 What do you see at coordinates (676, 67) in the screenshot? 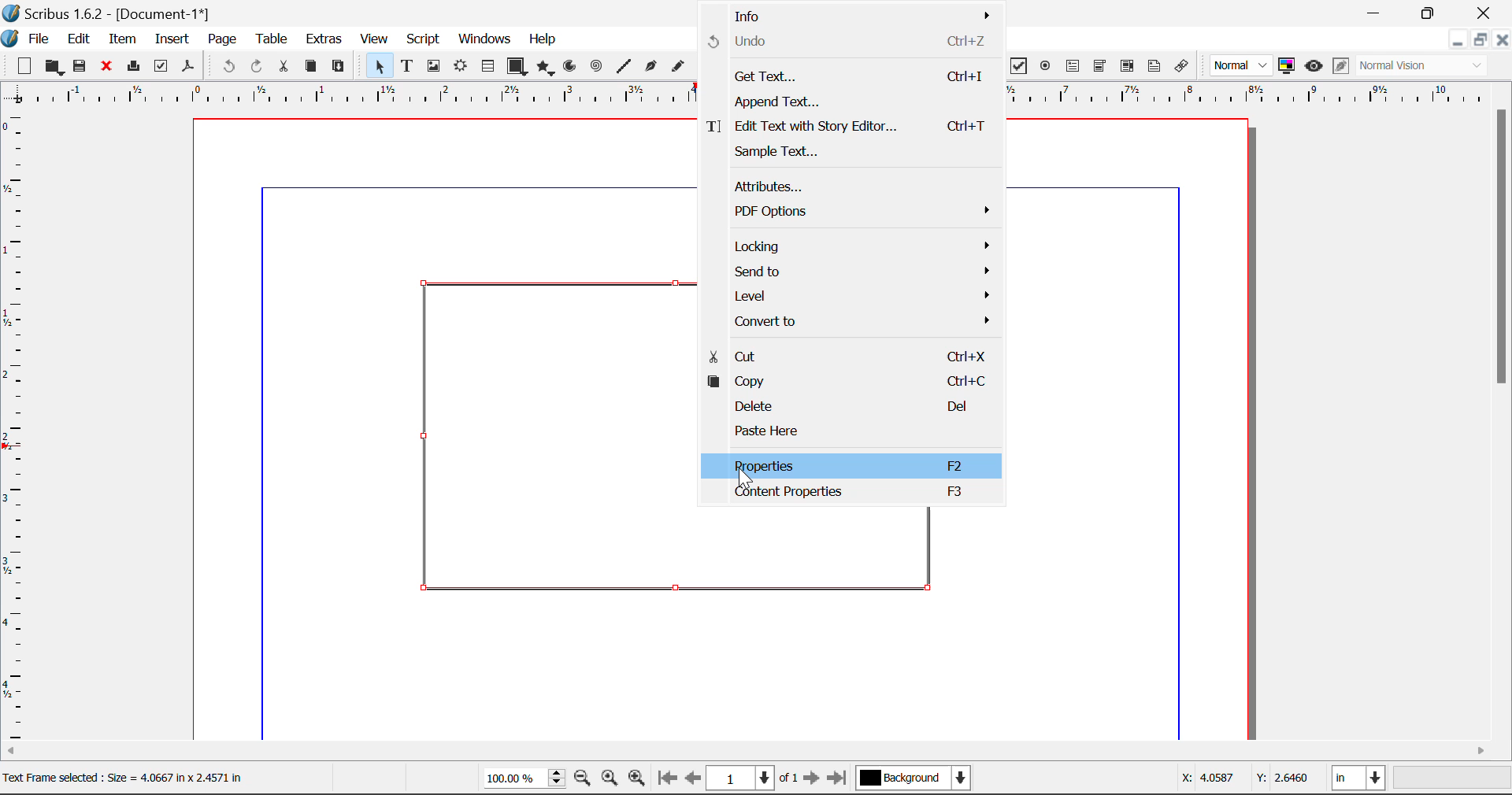
I see `Freehand Line` at bounding box center [676, 67].